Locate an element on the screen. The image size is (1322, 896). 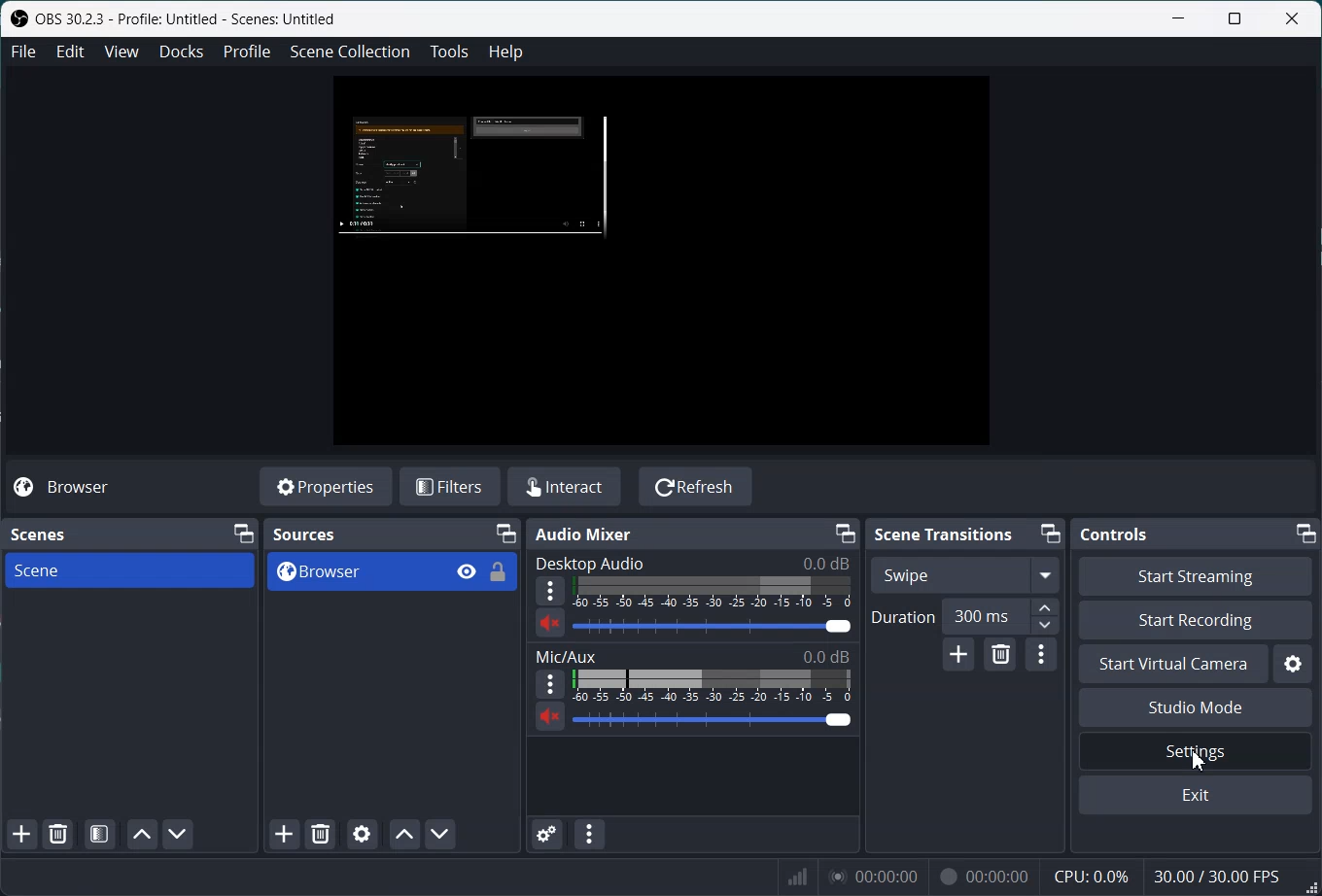
File is located at coordinates (24, 52).